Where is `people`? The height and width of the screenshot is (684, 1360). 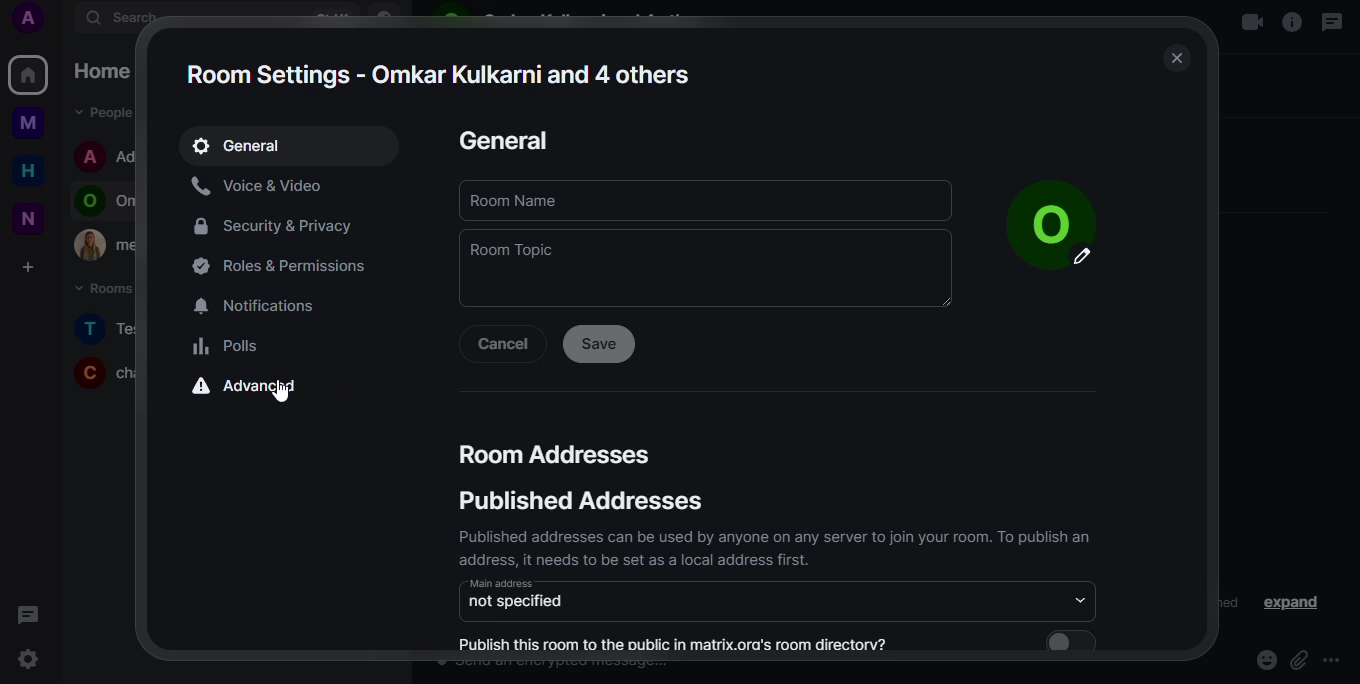
people is located at coordinates (107, 113).